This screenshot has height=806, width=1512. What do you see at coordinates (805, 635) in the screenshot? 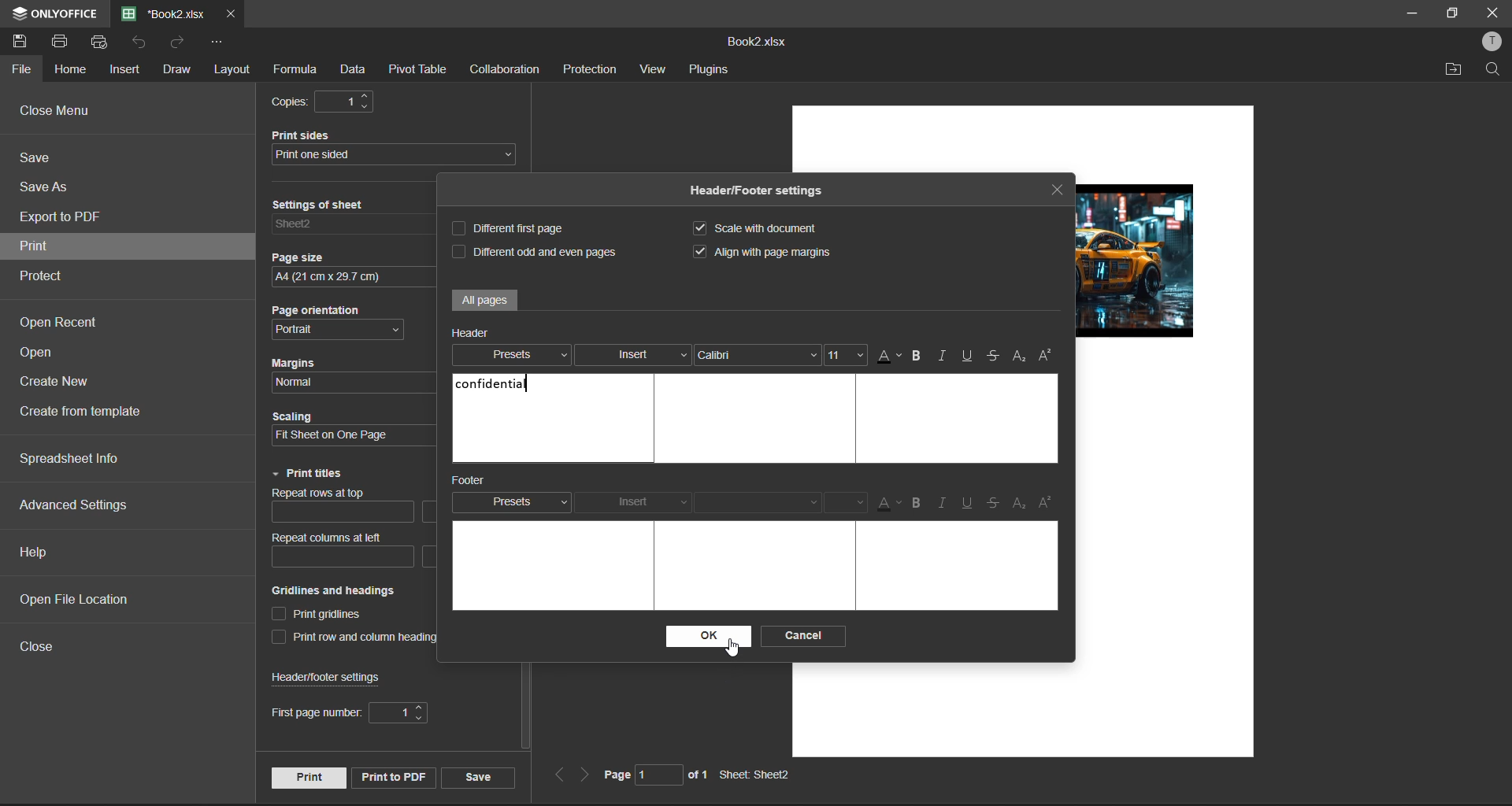
I see `cancel` at bounding box center [805, 635].